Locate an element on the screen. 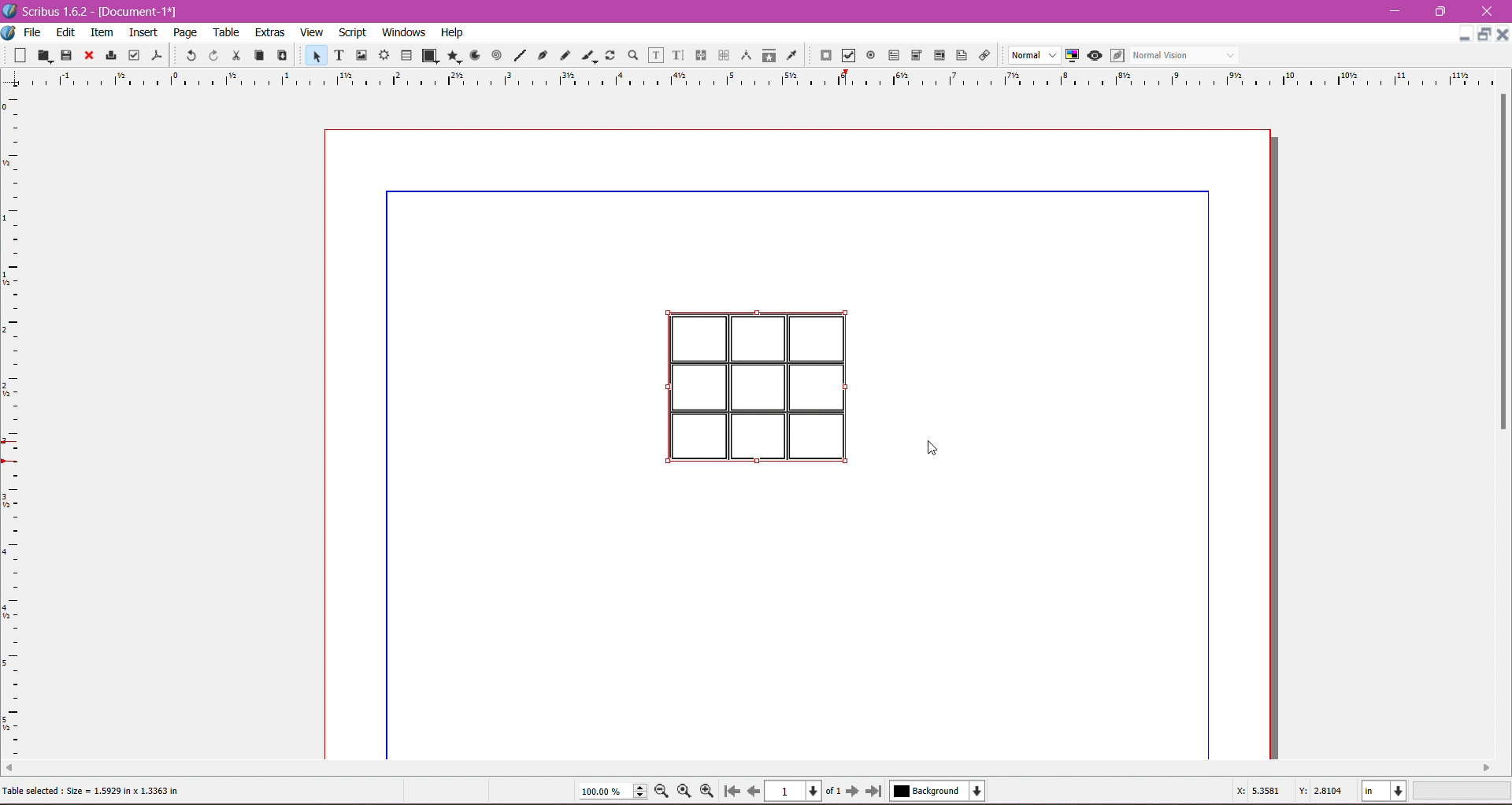 The image size is (1512, 805). Freehand Line is located at coordinates (565, 56).